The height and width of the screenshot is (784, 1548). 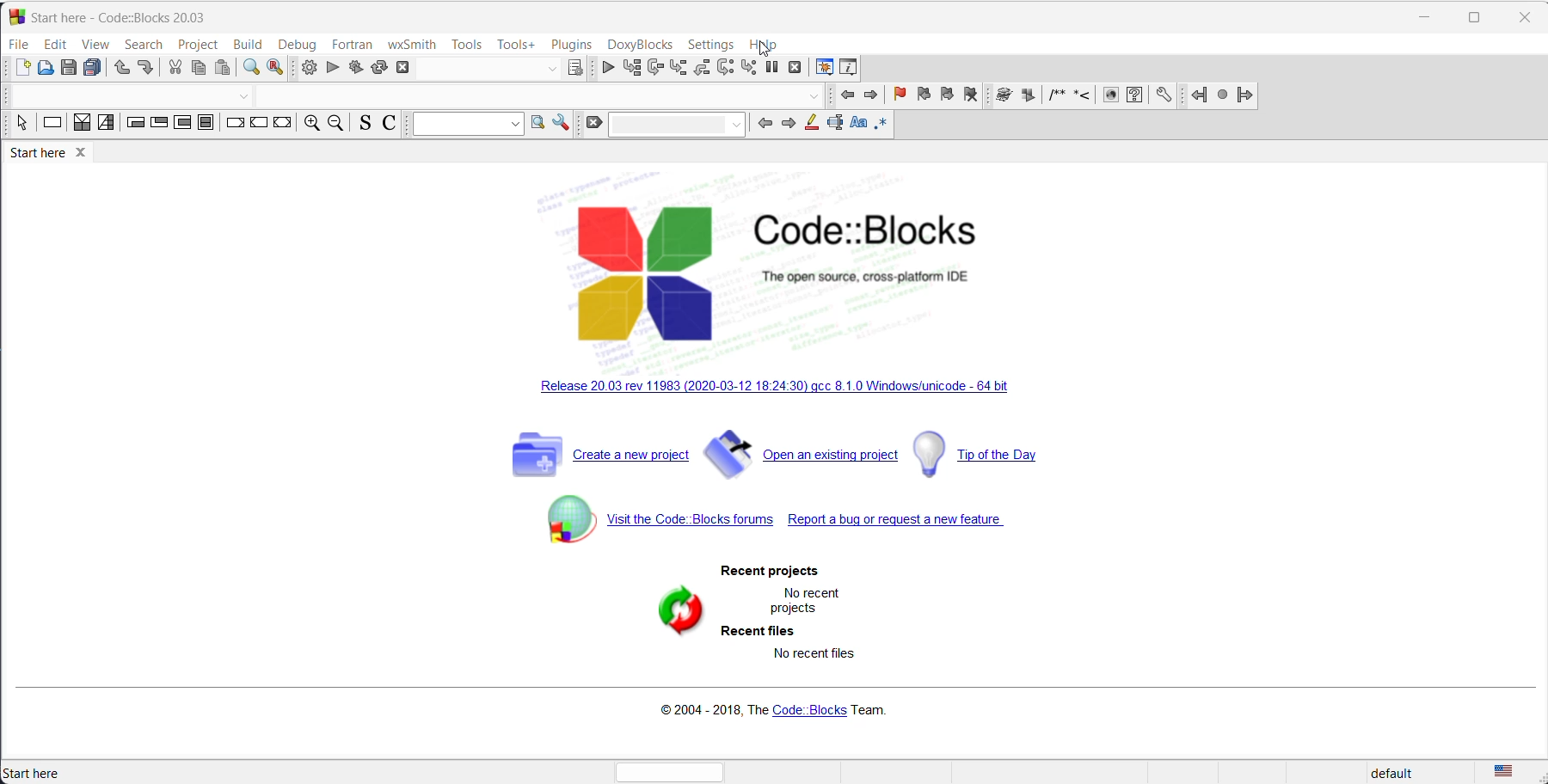 I want to click on next line, so click(x=654, y=70).